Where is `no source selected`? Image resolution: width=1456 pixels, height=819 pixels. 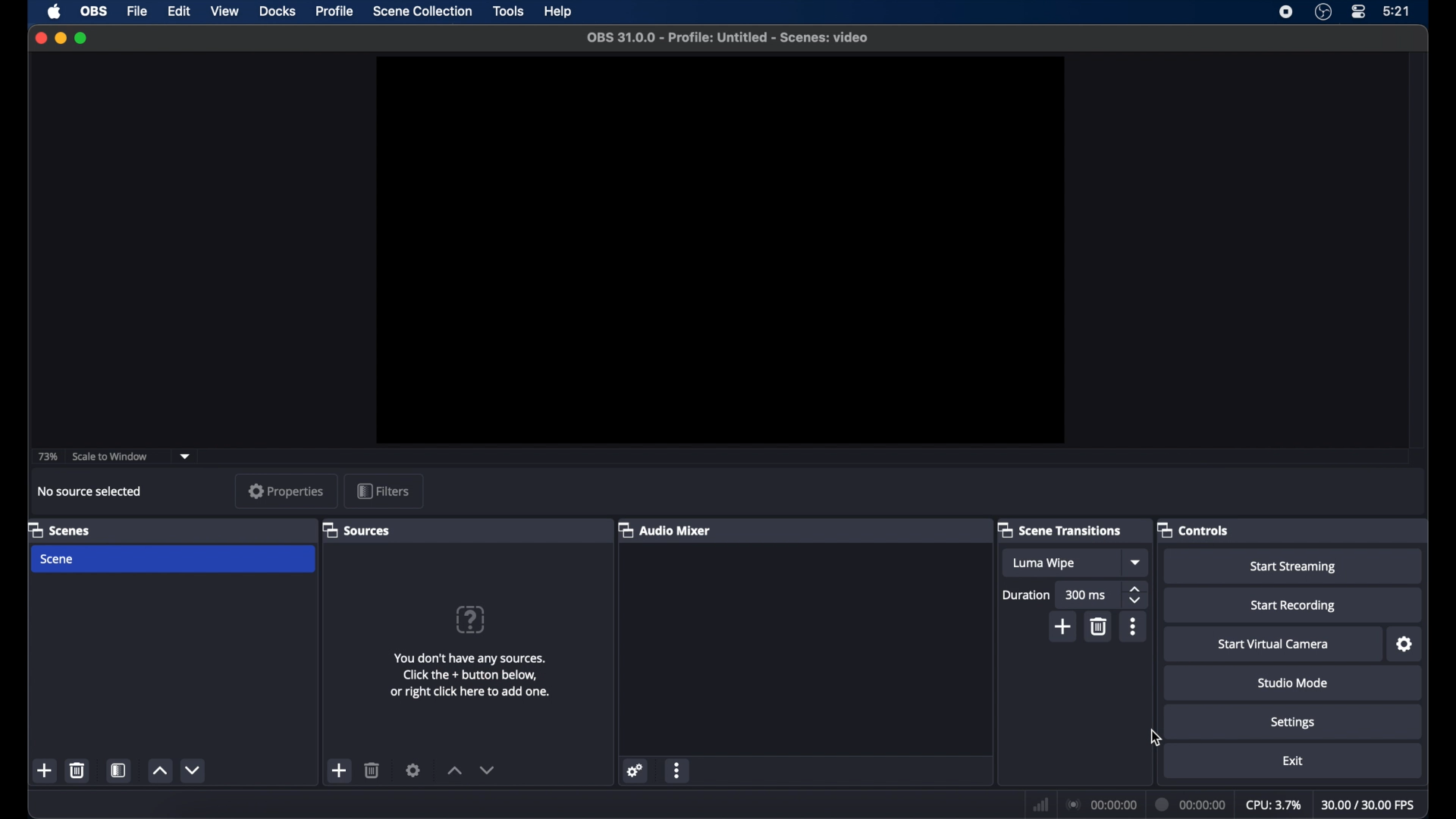 no source selected is located at coordinates (88, 491).